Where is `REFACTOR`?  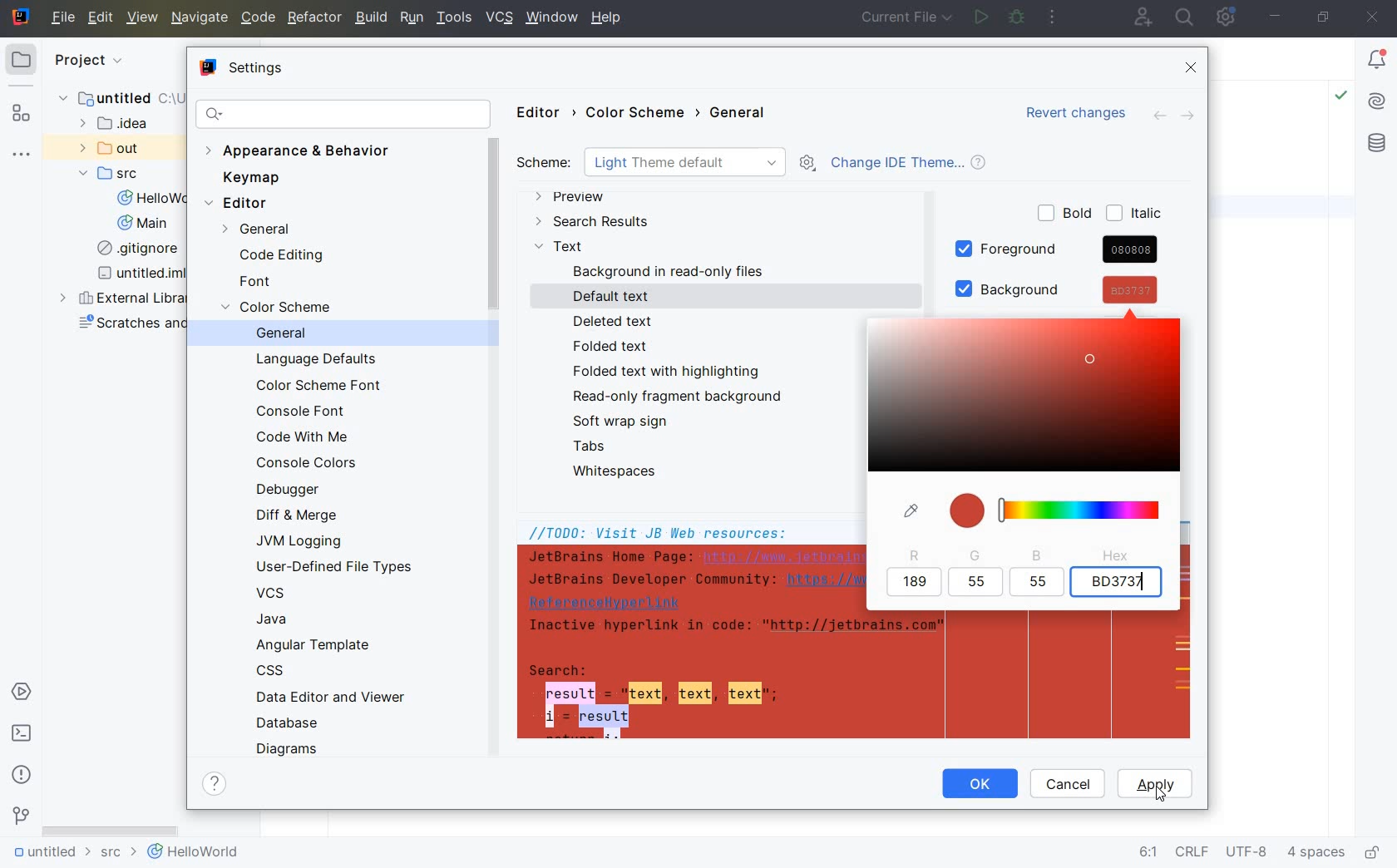
REFACTOR is located at coordinates (313, 20).